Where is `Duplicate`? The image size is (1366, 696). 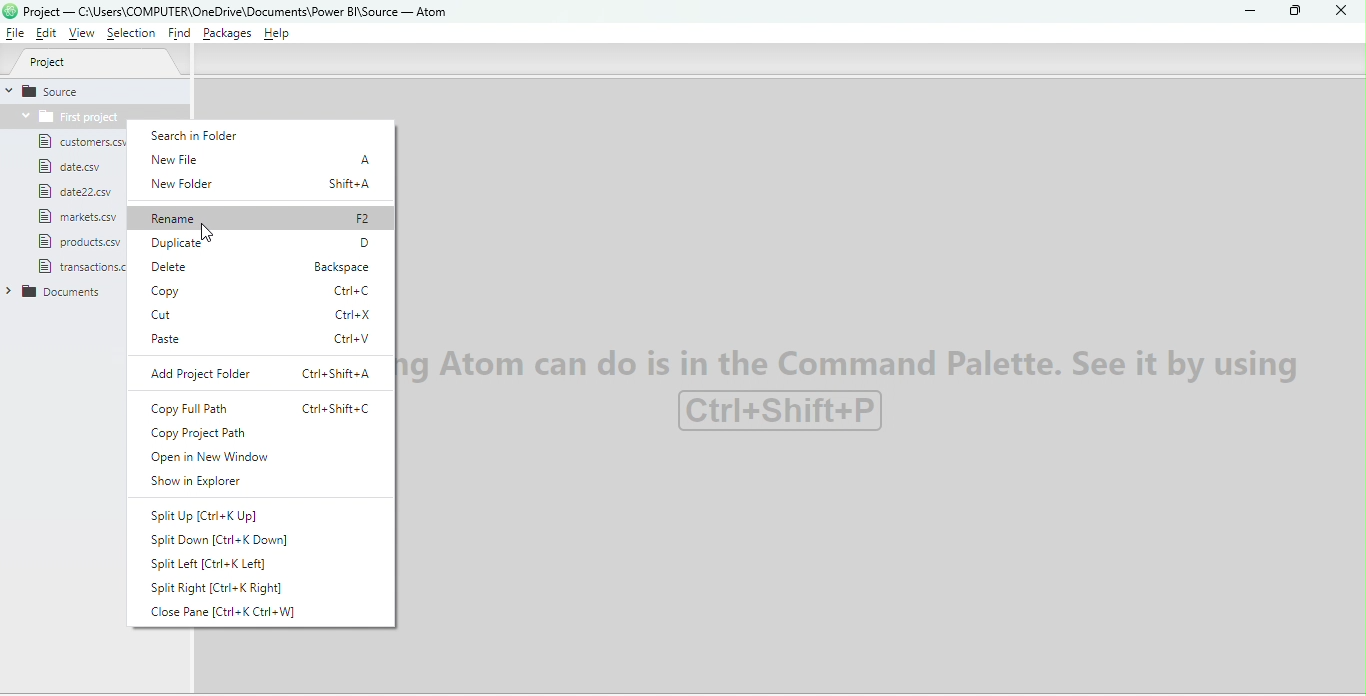 Duplicate is located at coordinates (263, 244).